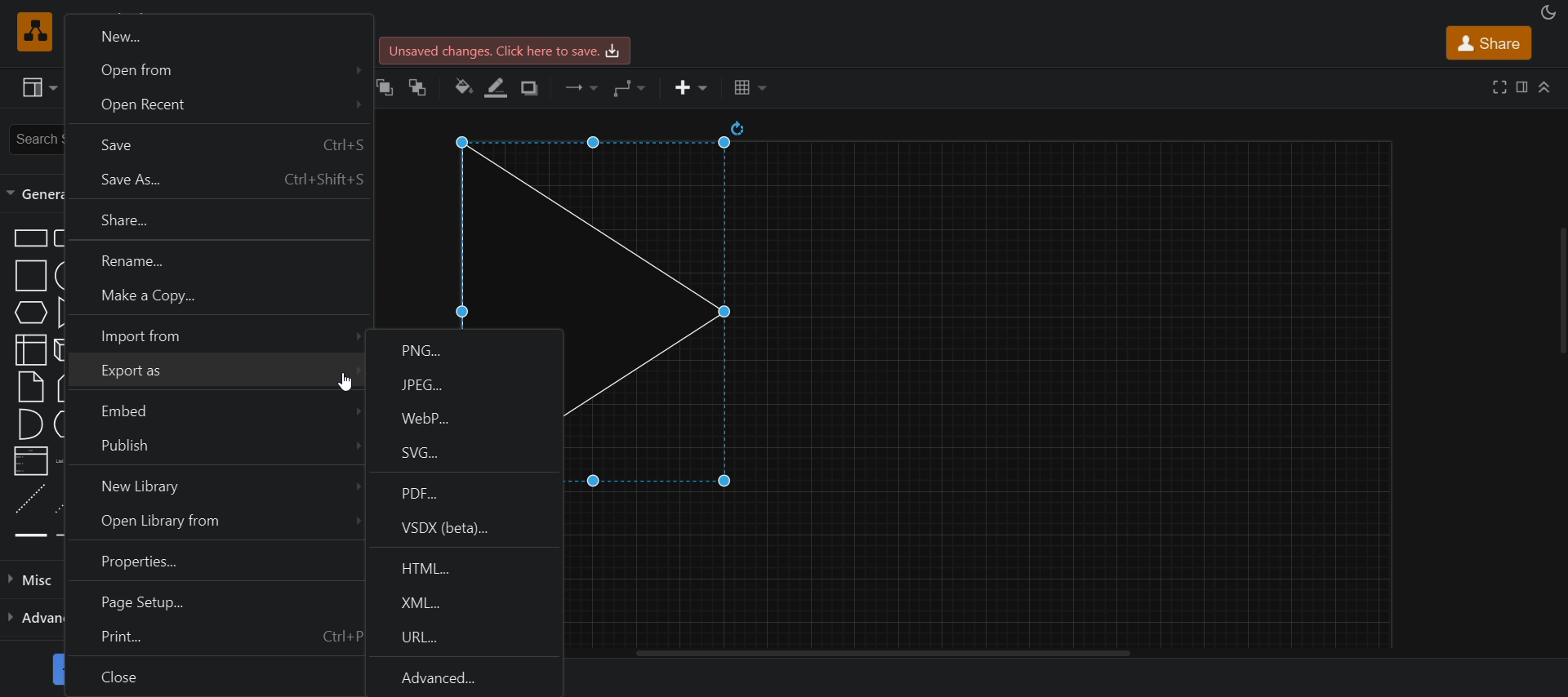 Image resolution: width=1568 pixels, height=697 pixels. What do you see at coordinates (212, 639) in the screenshot?
I see `print` at bounding box center [212, 639].